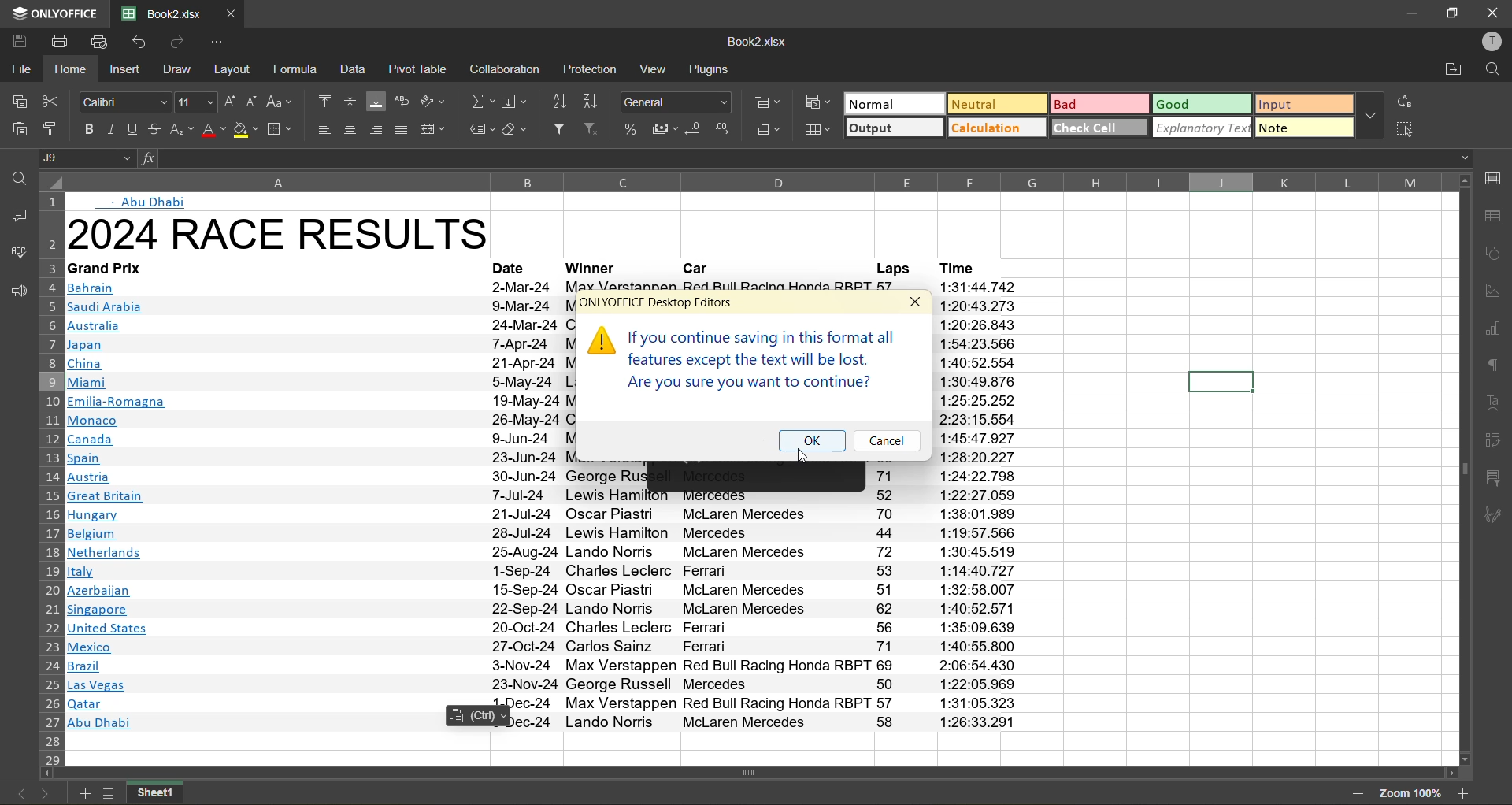  What do you see at coordinates (18, 795) in the screenshot?
I see `previous` at bounding box center [18, 795].